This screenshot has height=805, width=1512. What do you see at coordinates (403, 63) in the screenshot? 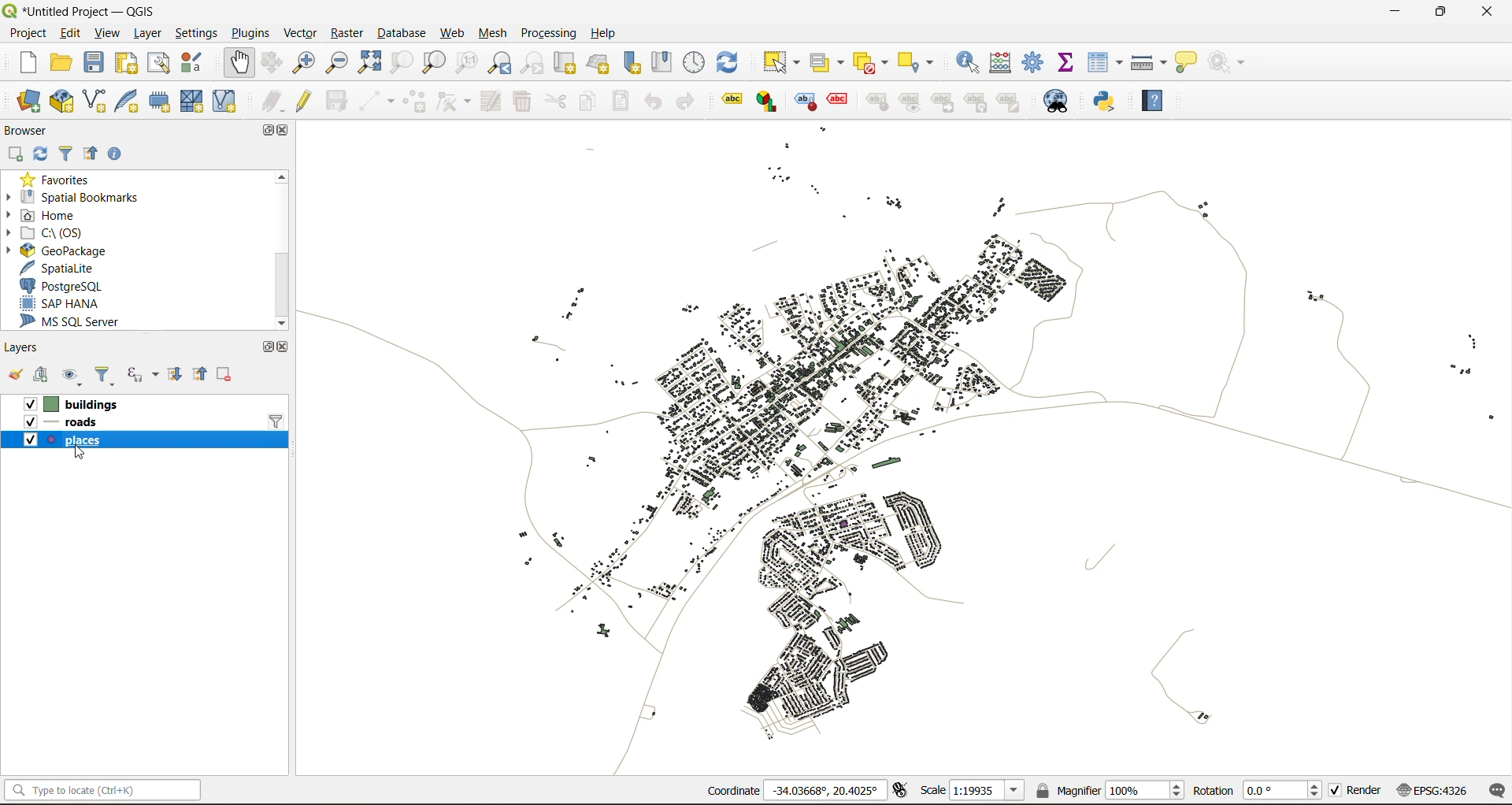
I see `zoom selection` at bounding box center [403, 63].